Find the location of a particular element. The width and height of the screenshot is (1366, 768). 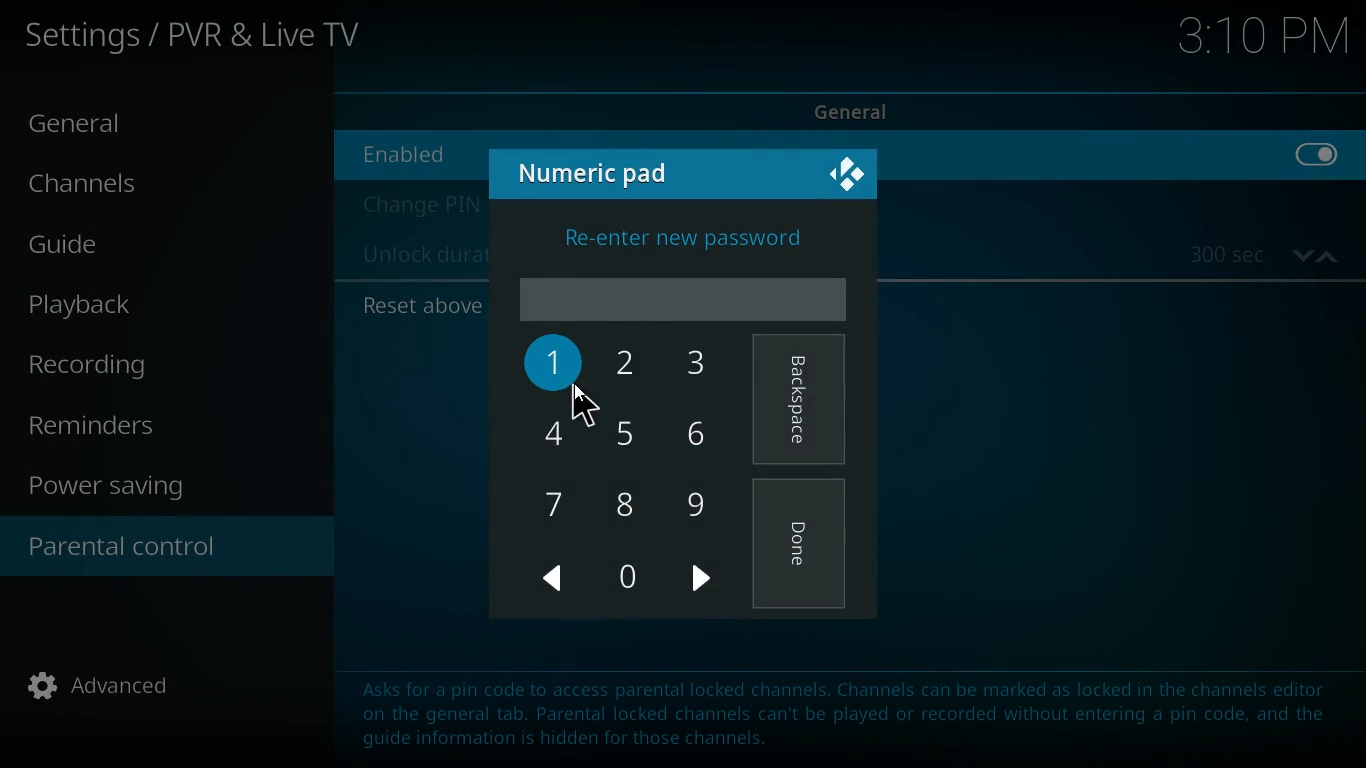

0 is located at coordinates (627, 578).